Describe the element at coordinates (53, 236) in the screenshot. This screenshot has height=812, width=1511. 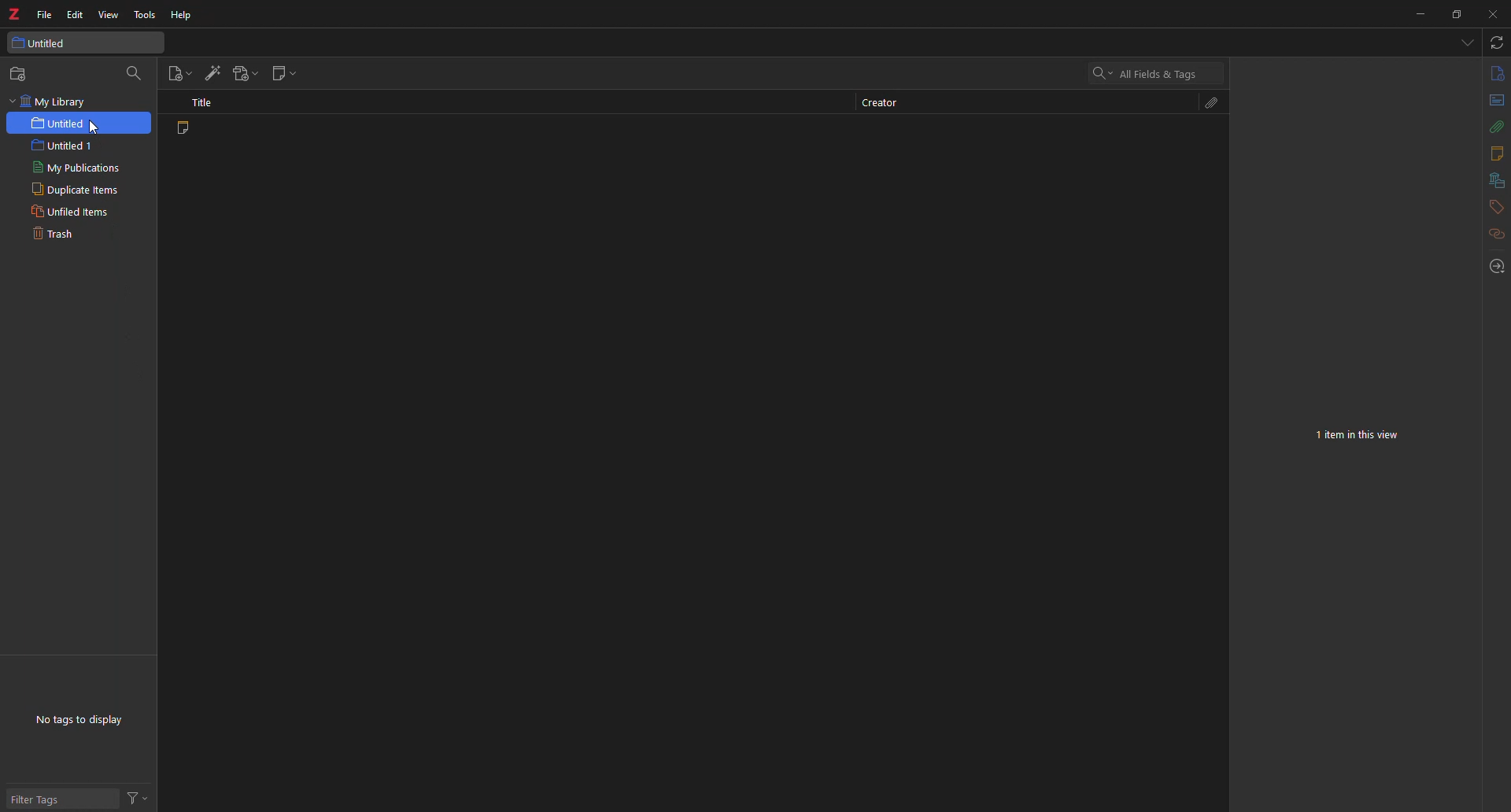
I see `trash` at that location.